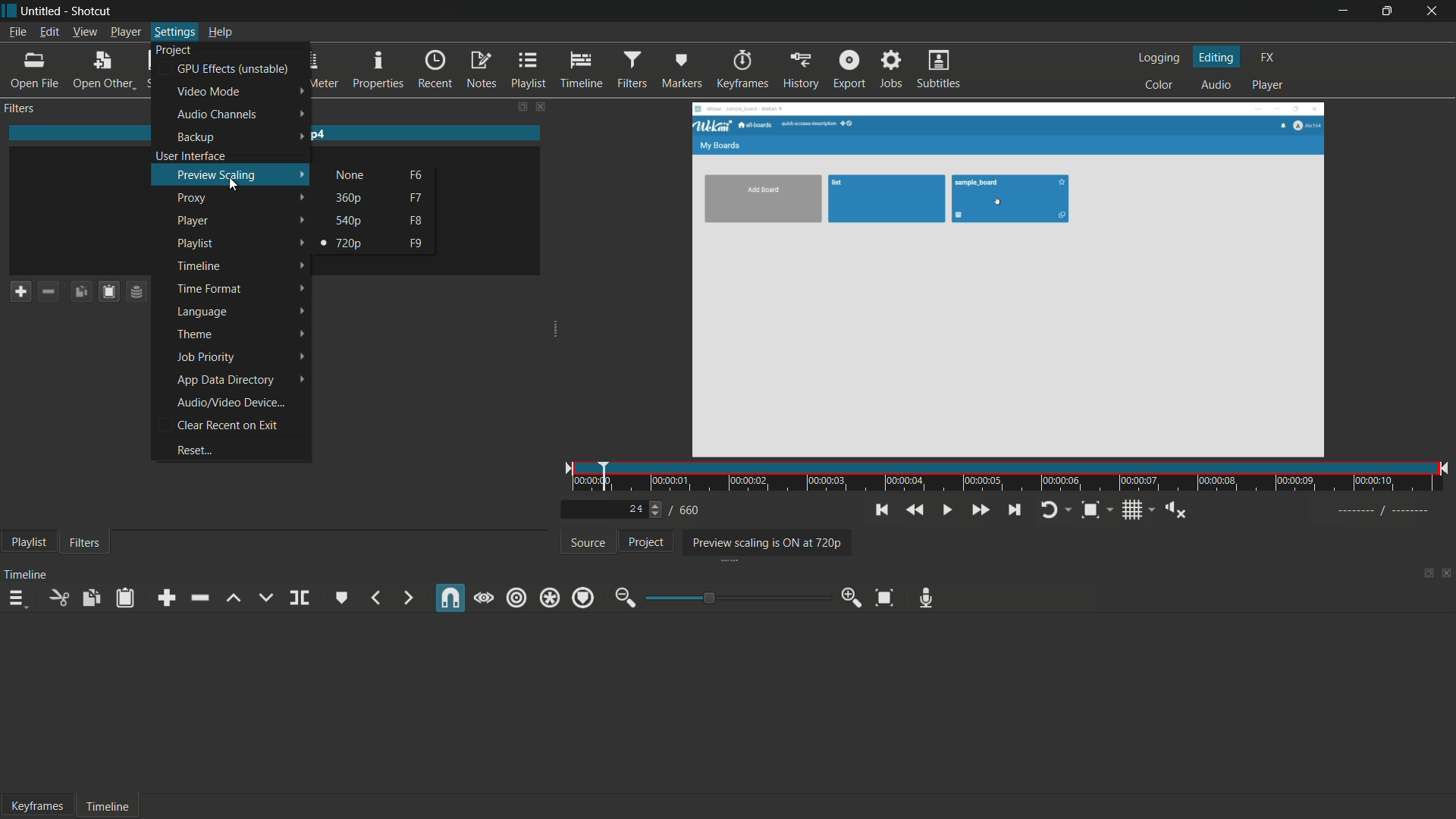  What do you see at coordinates (17, 292) in the screenshot?
I see `add a filter` at bounding box center [17, 292].